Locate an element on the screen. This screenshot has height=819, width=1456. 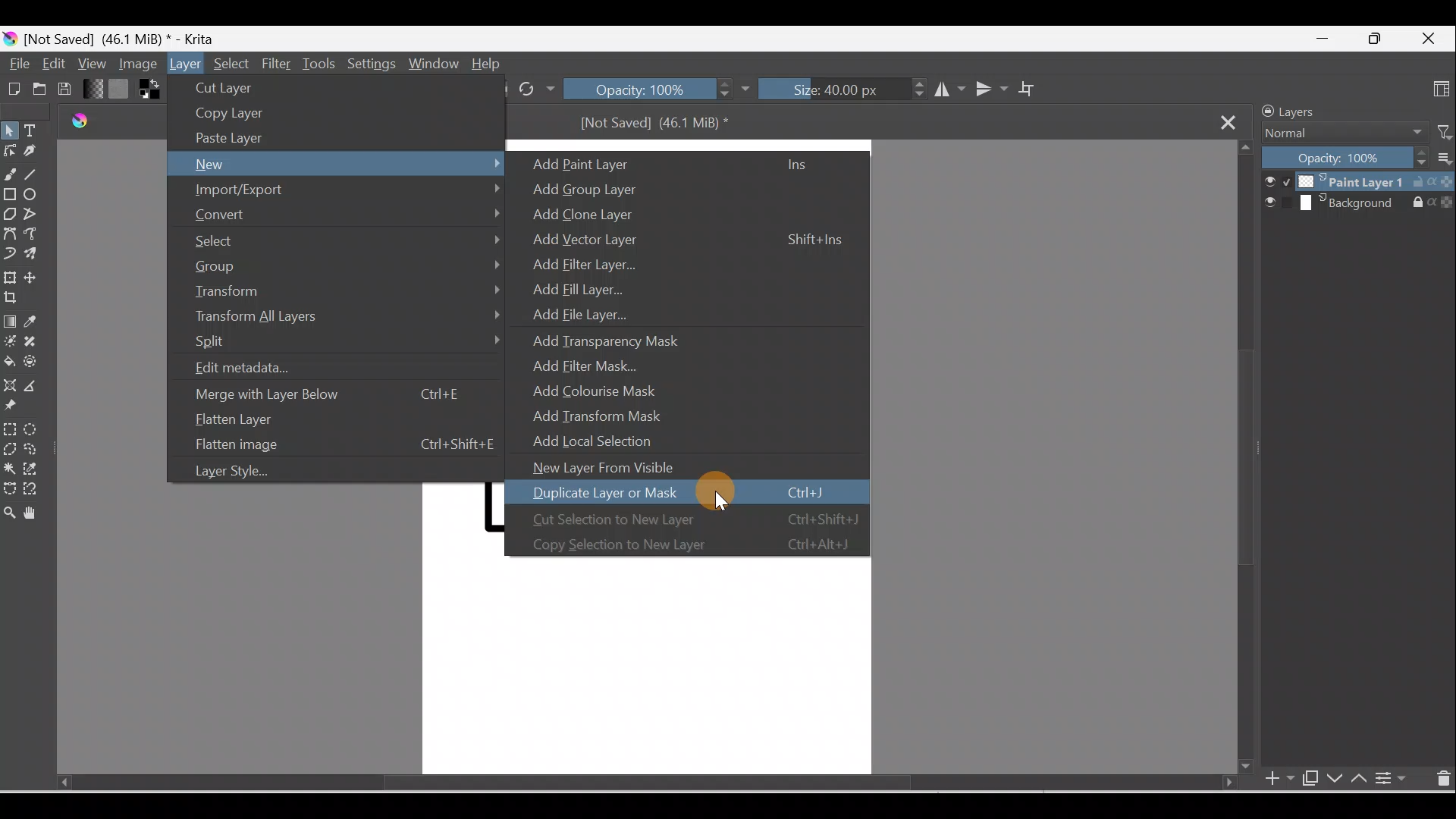
Add local selection is located at coordinates (607, 439).